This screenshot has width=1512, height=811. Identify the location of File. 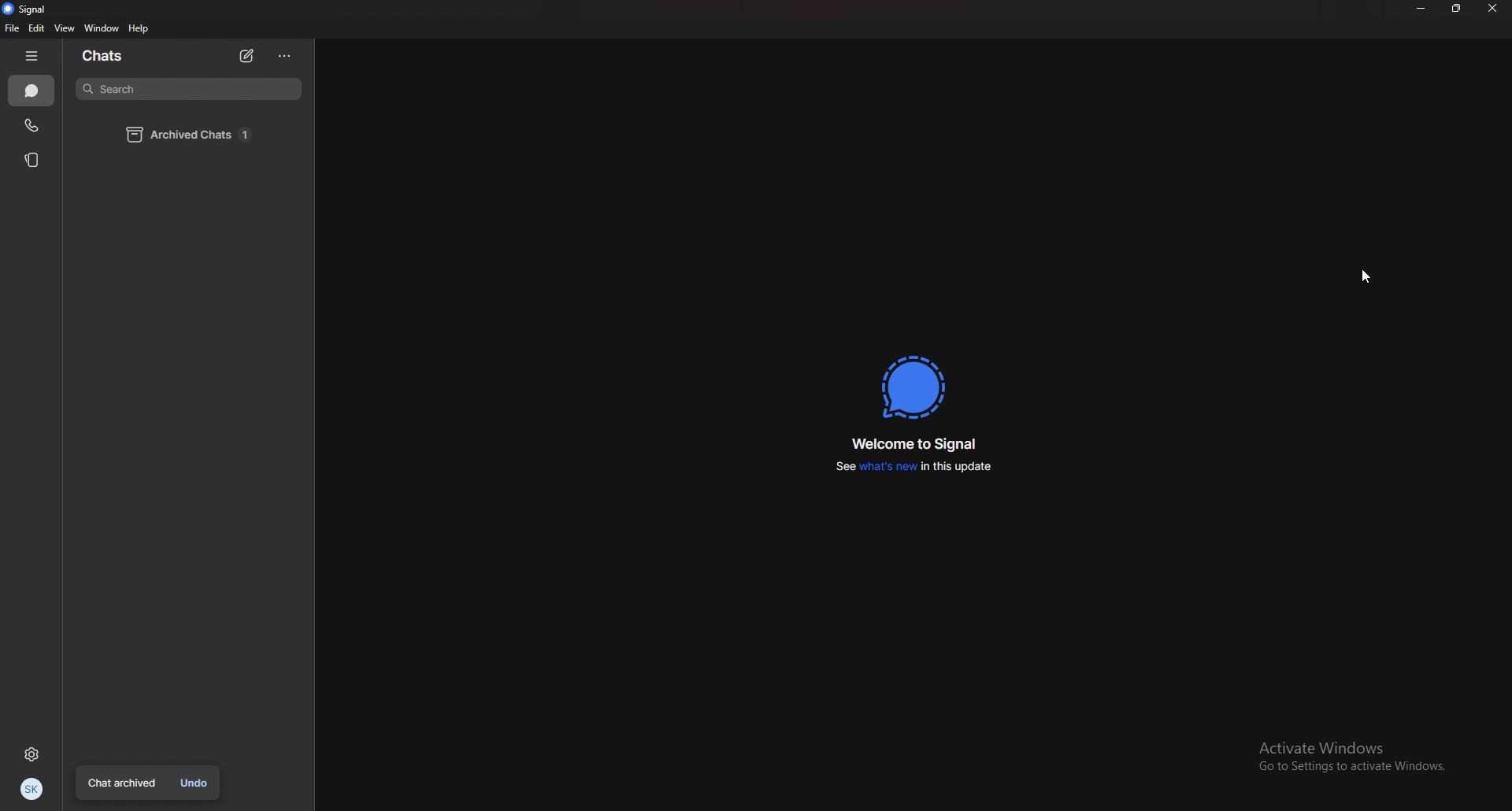
(11, 28).